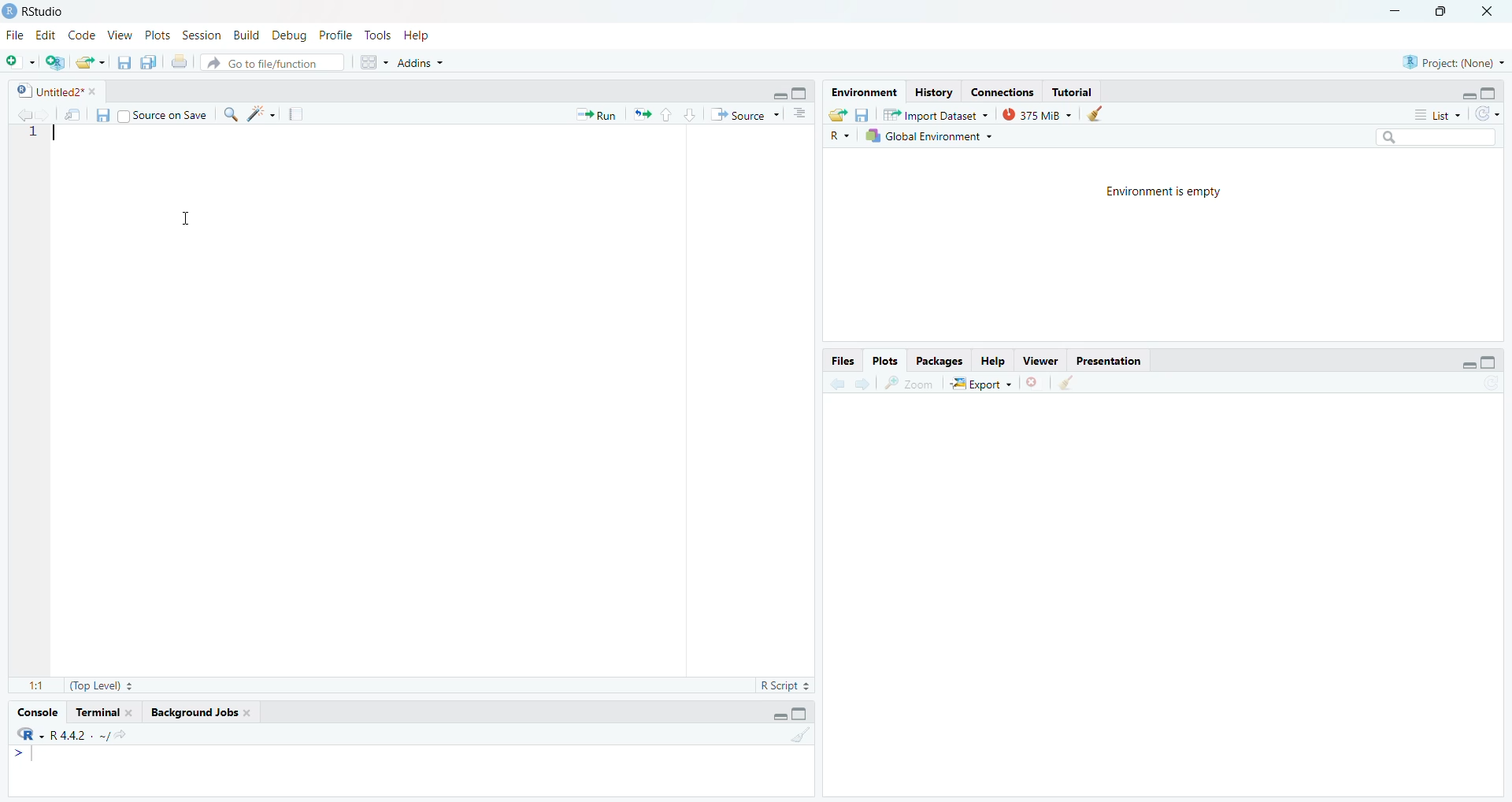 Image resolution: width=1512 pixels, height=802 pixels. Describe the element at coordinates (800, 94) in the screenshot. I see `hide console` at that location.